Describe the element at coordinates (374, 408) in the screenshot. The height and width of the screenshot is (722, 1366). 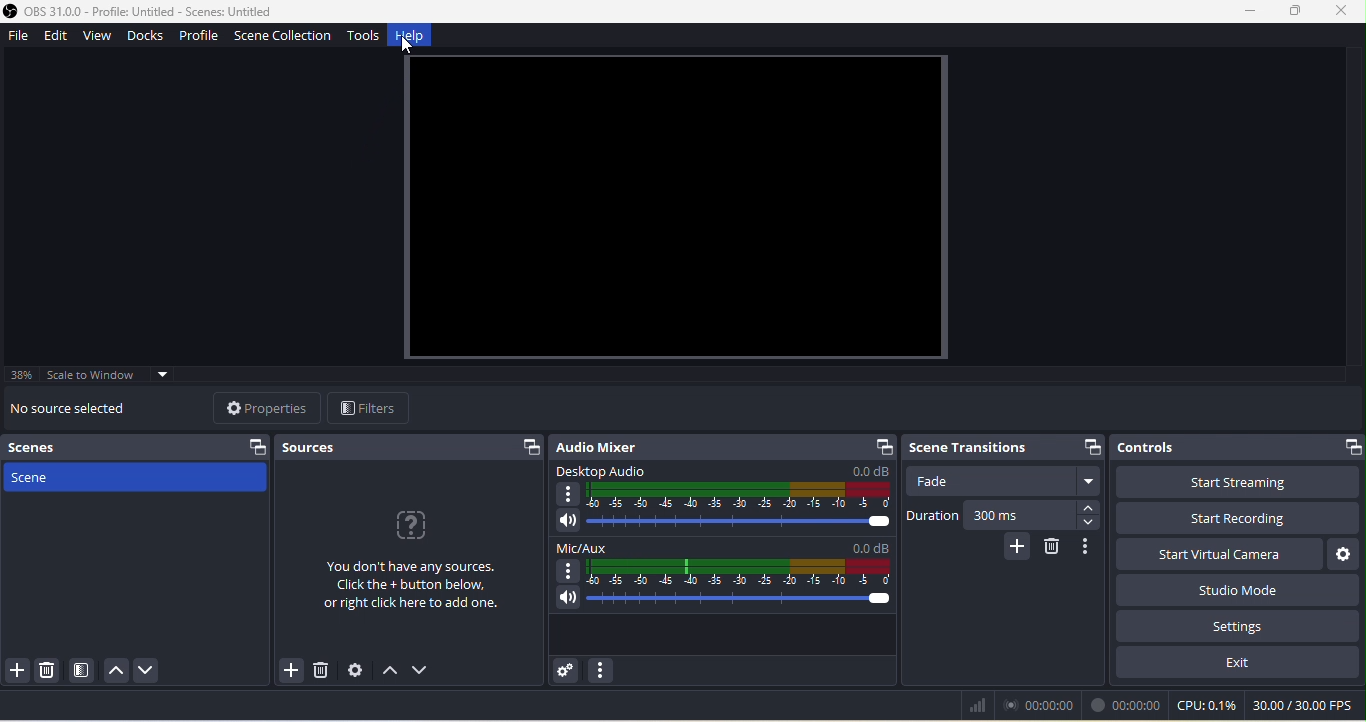
I see `filter` at that location.